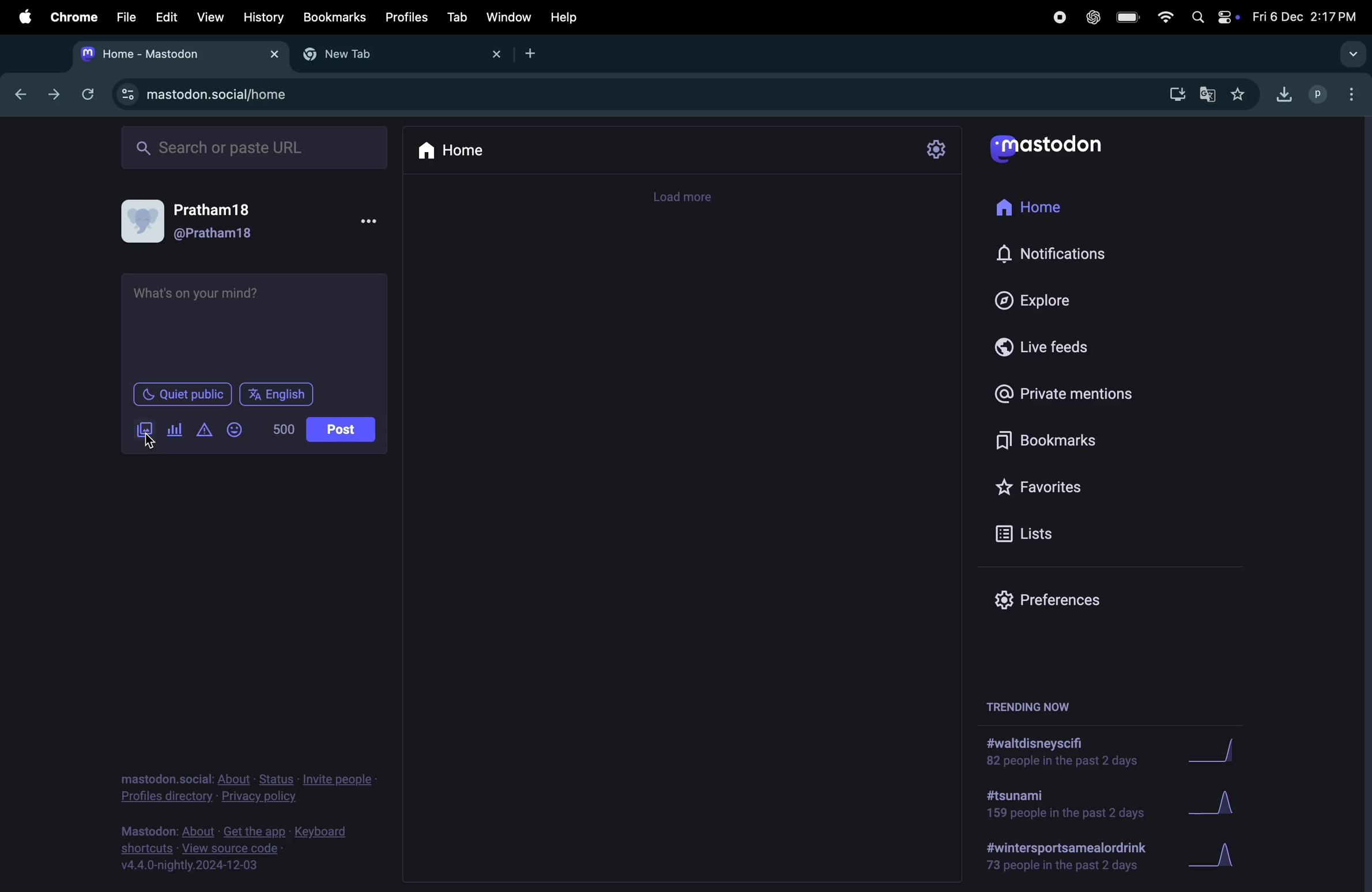 This screenshot has width=1372, height=892. Describe the element at coordinates (175, 52) in the screenshot. I see `msatdon tab` at that location.